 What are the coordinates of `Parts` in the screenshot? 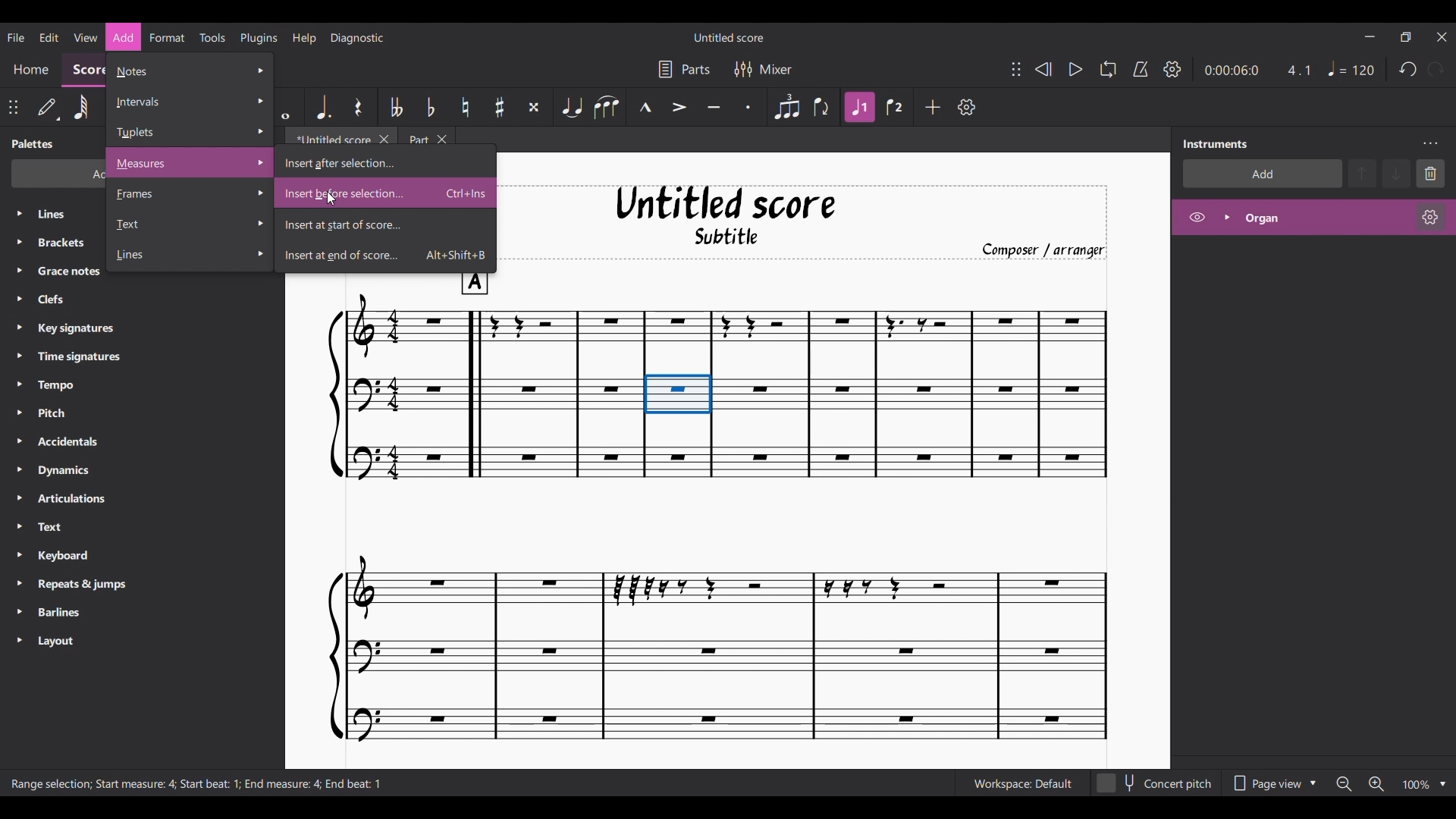 It's located at (684, 70).